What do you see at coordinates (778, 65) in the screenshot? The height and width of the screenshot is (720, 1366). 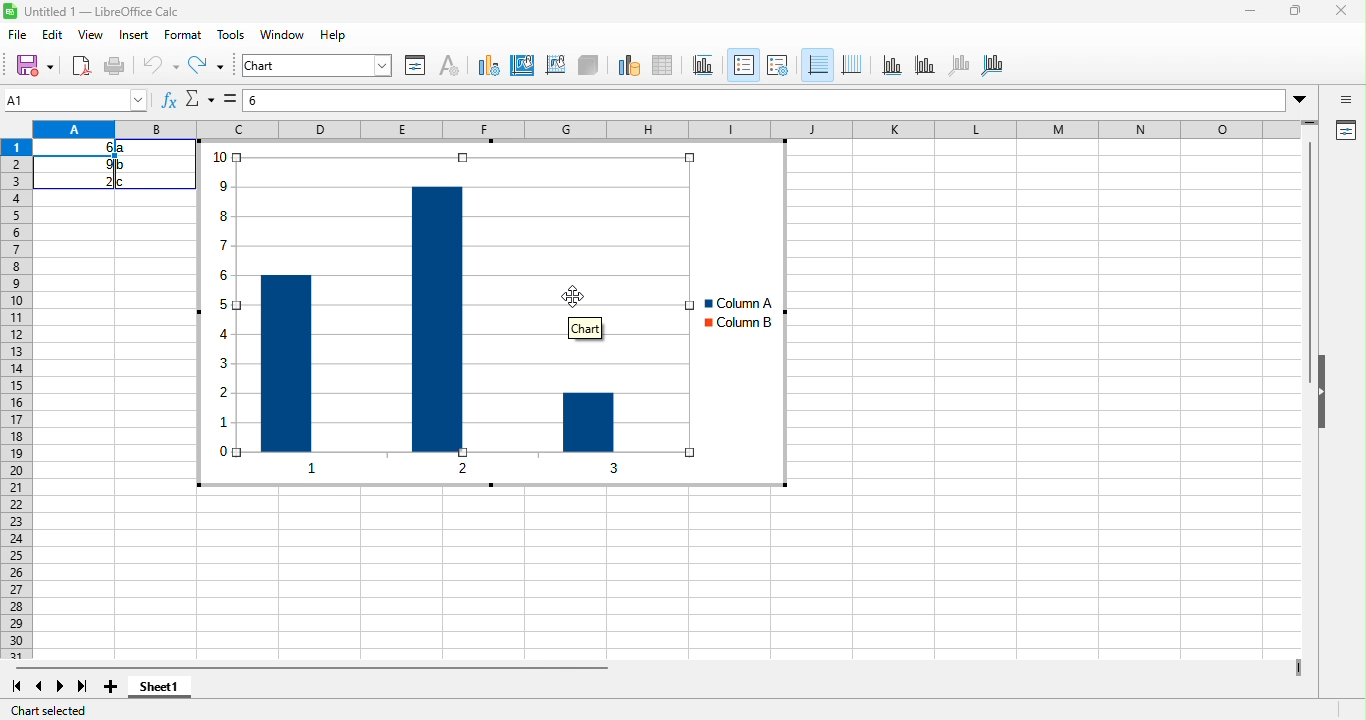 I see `legend on/off` at bounding box center [778, 65].